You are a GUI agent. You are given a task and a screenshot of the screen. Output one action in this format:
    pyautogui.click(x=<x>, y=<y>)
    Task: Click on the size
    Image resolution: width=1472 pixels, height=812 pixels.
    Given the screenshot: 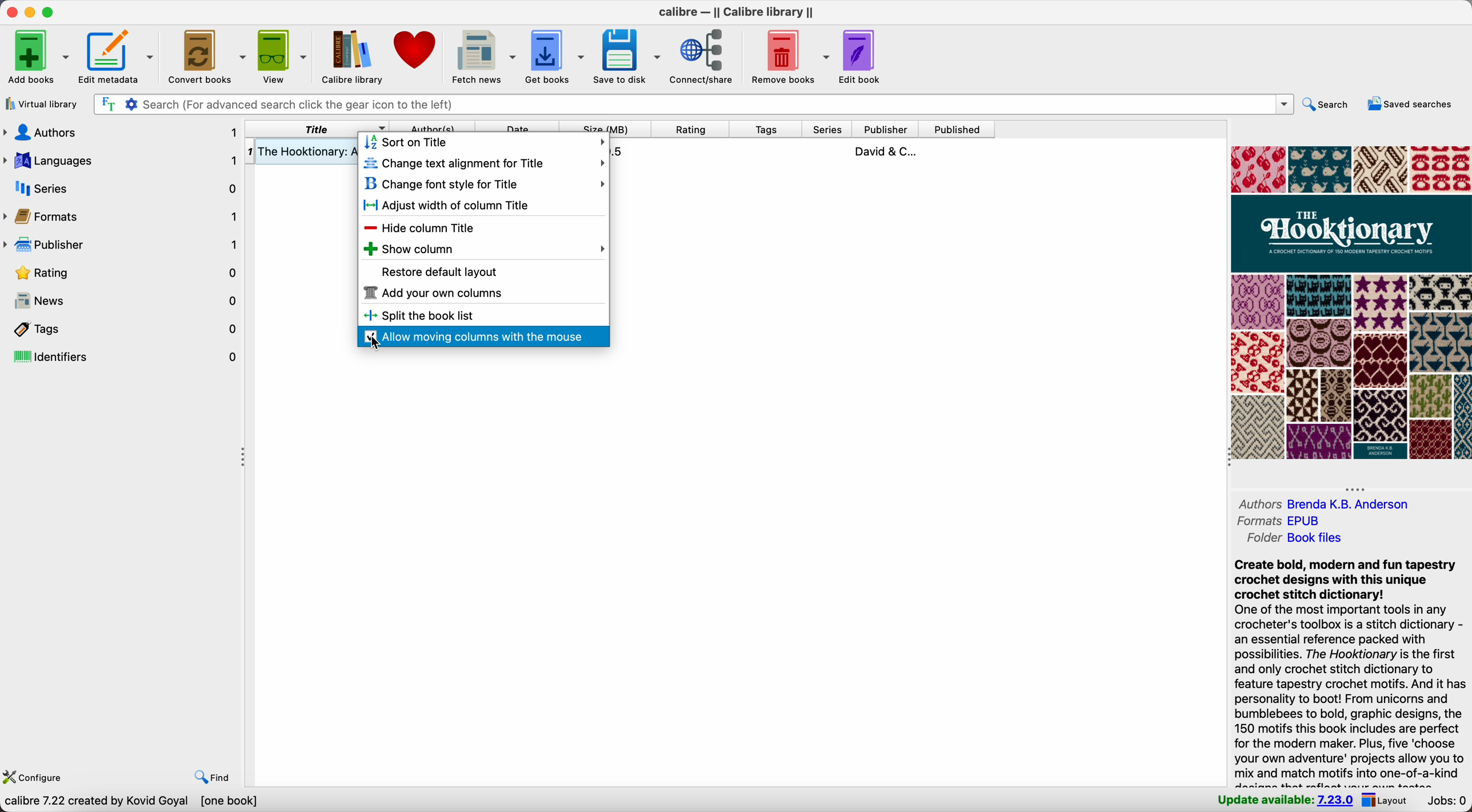 What is the action you would take?
    pyautogui.click(x=606, y=125)
    